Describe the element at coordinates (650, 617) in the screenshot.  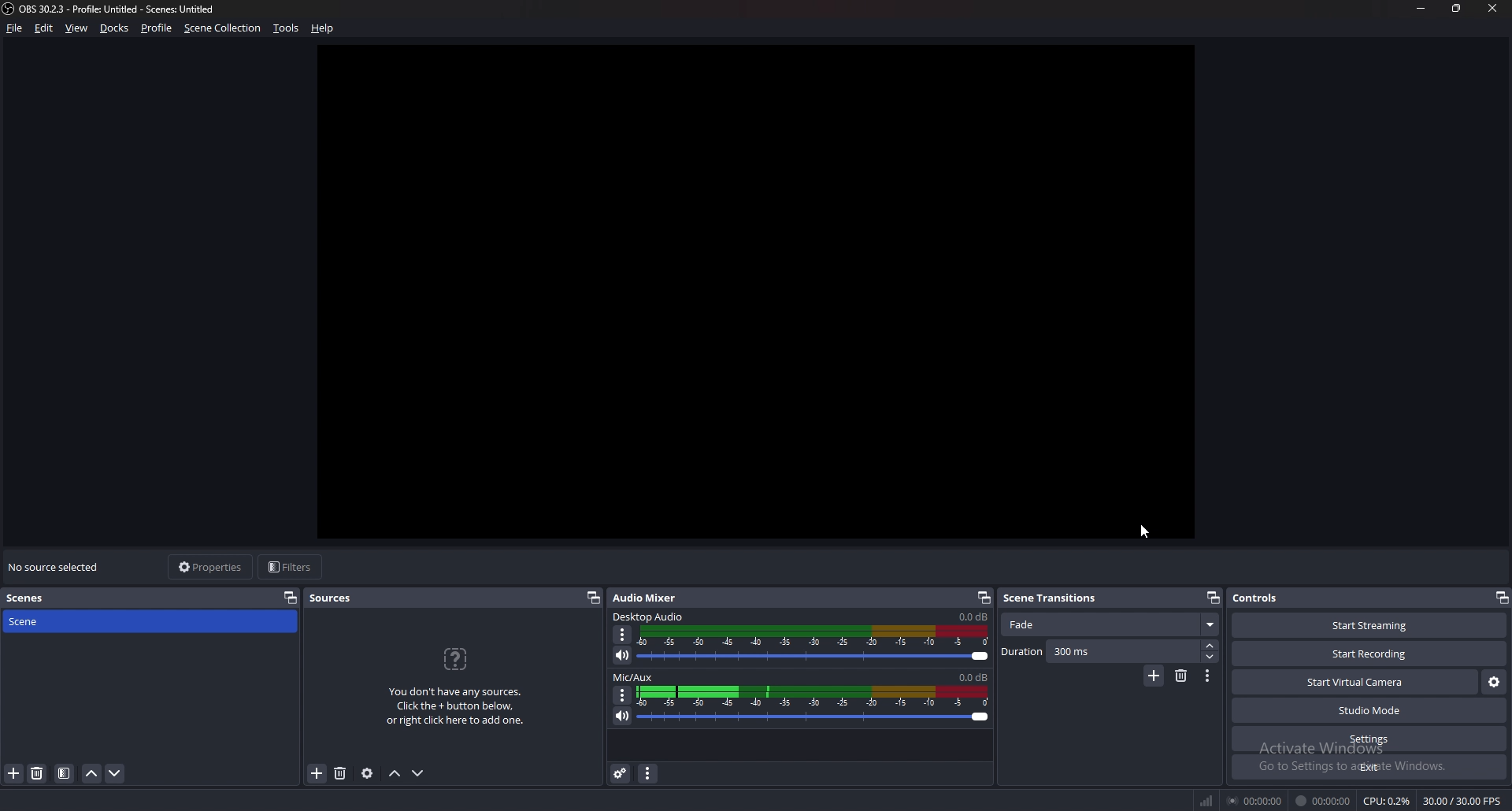
I see `desktop audio` at that location.